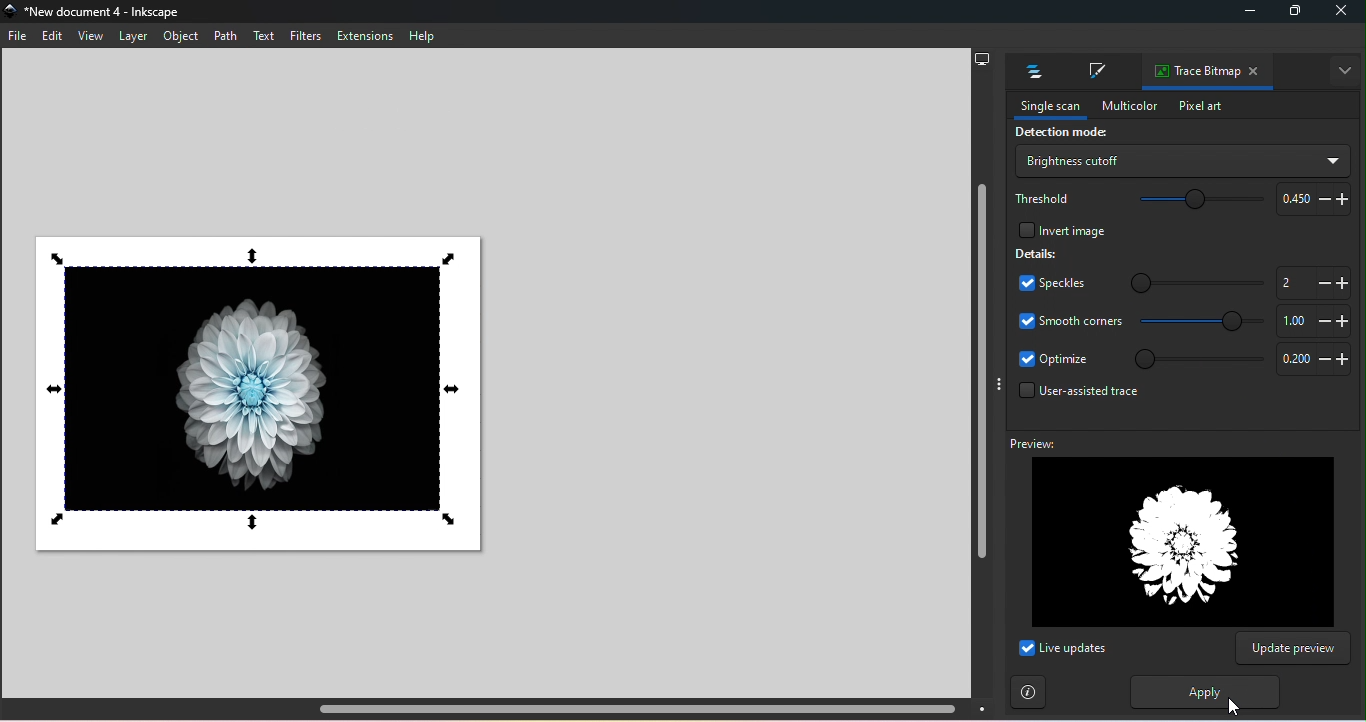 The height and width of the screenshot is (722, 1366). What do you see at coordinates (304, 35) in the screenshot?
I see `Filters` at bounding box center [304, 35].